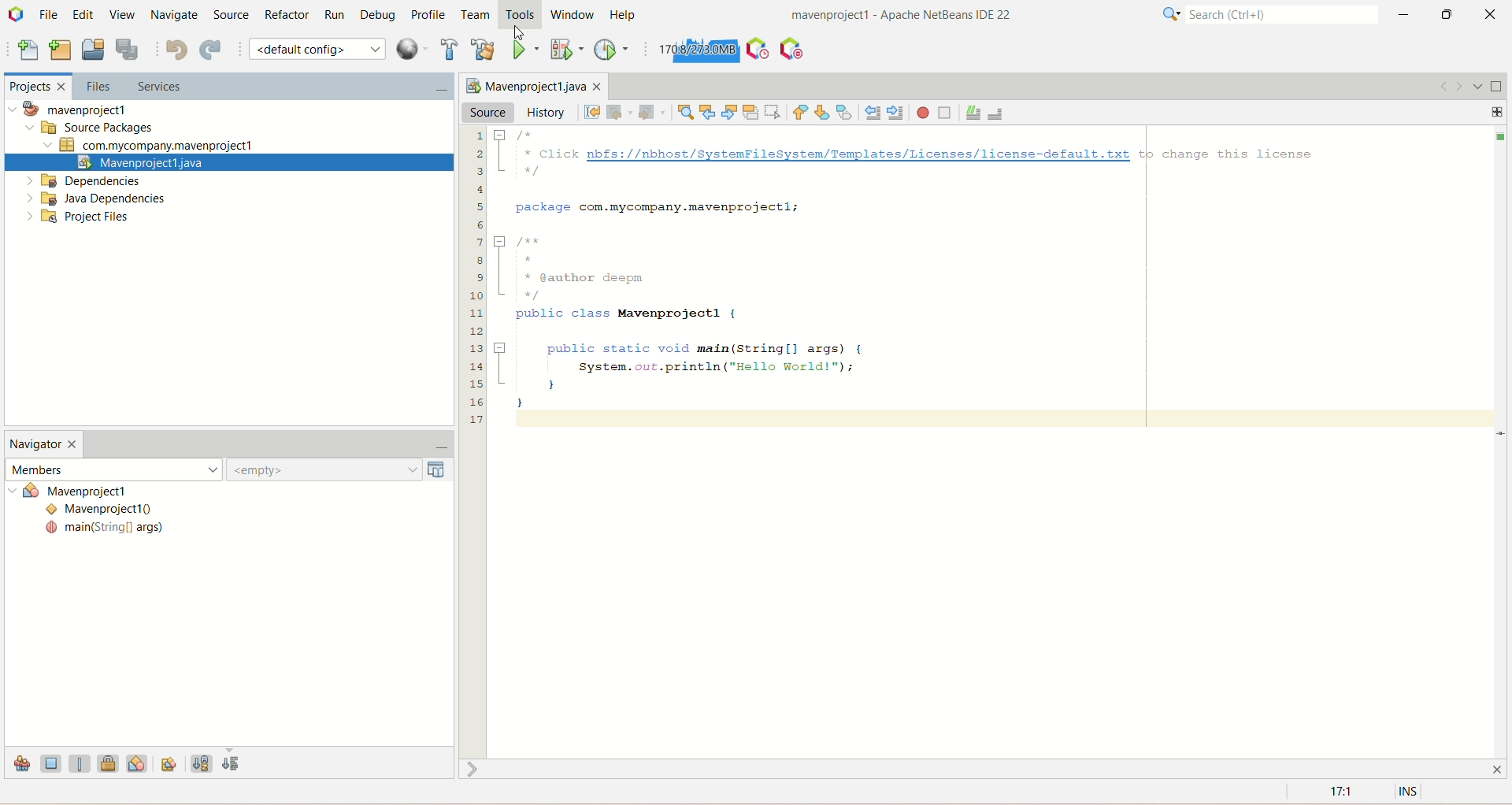  What do you see at coordinates (1503, 441) in the screenshot?
I see `Scrollbar` at bounding box center [1503, 441].